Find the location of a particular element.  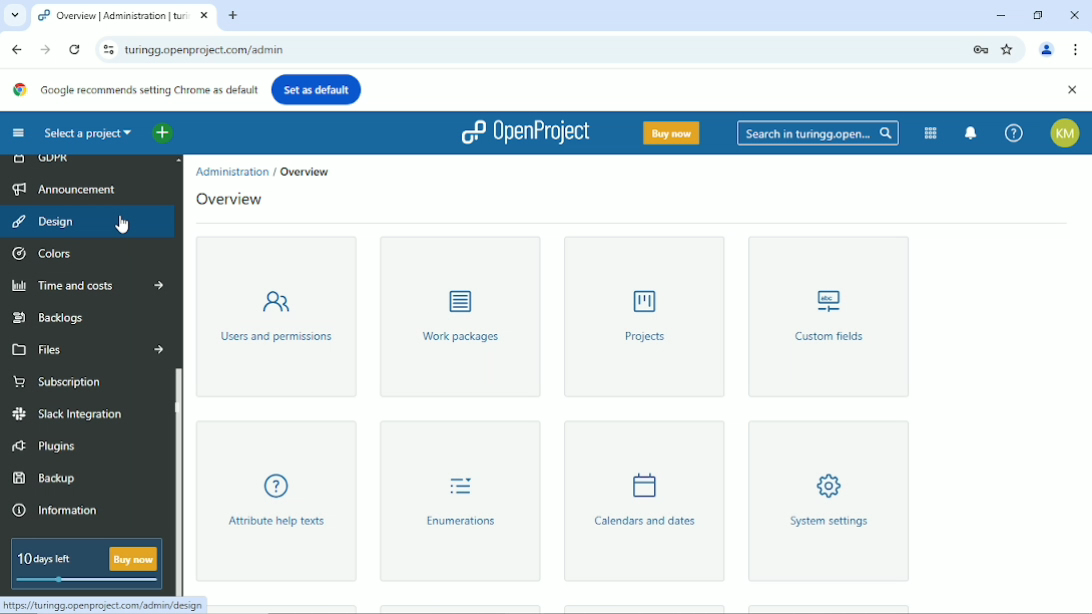

Open quick add menu is located at coordinates (162, 134).